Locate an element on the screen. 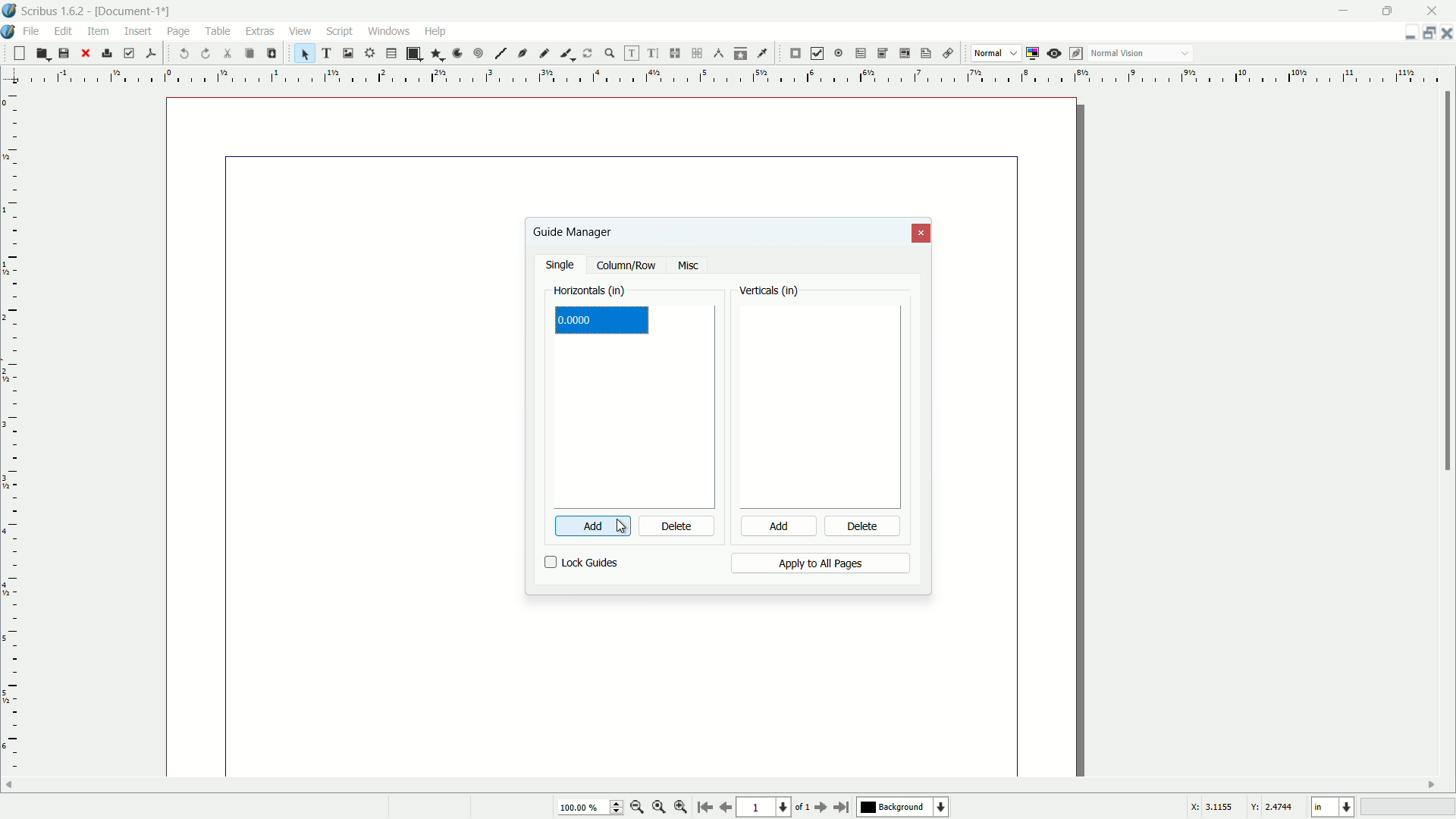  unlink text frames is located at coordinates (699, 53).